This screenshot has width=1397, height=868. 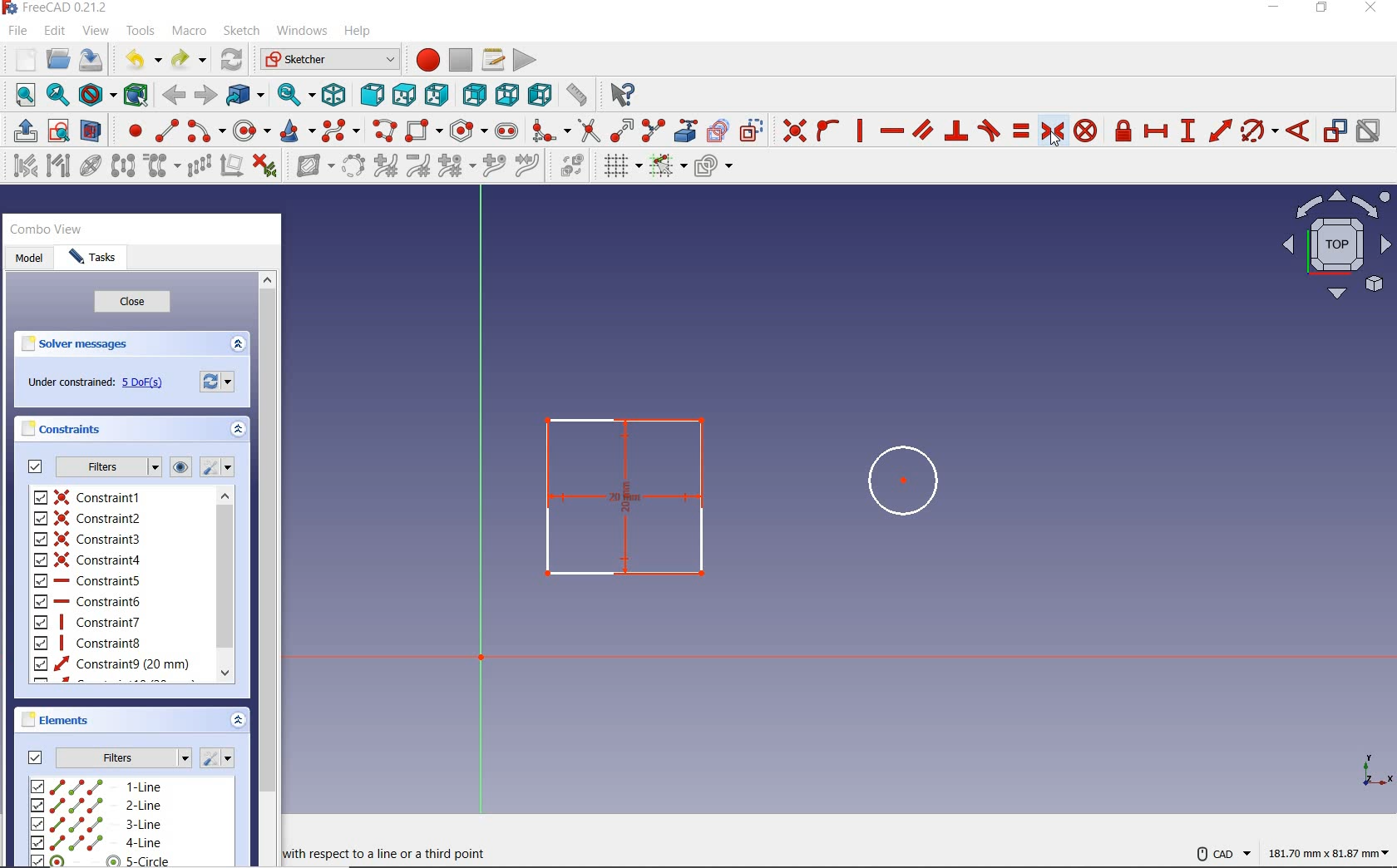 I want to click on constraint9 (20MM), so click(x=111, y=664).